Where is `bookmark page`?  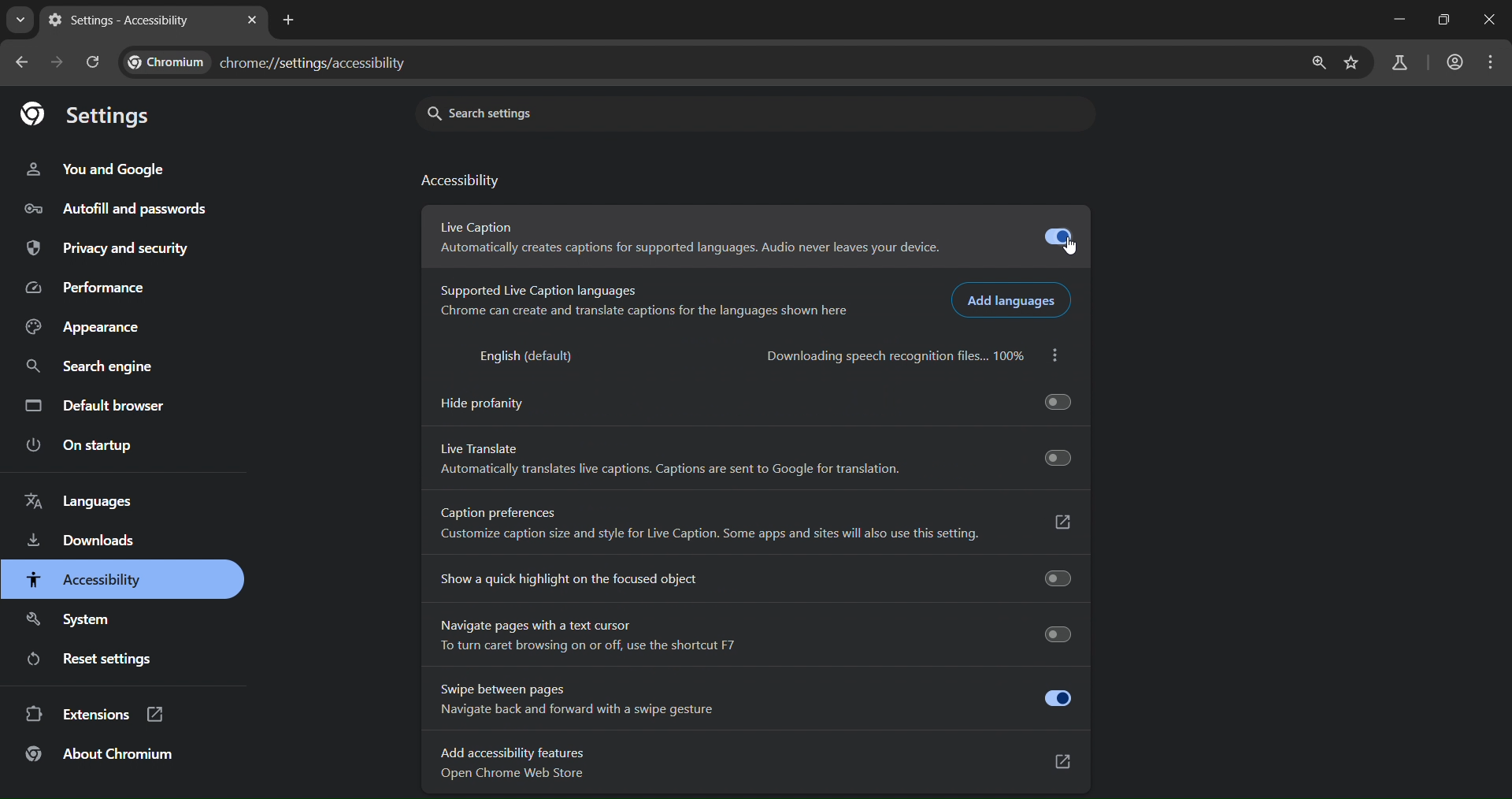
bookmark page is located at coordinates (1354, 61).